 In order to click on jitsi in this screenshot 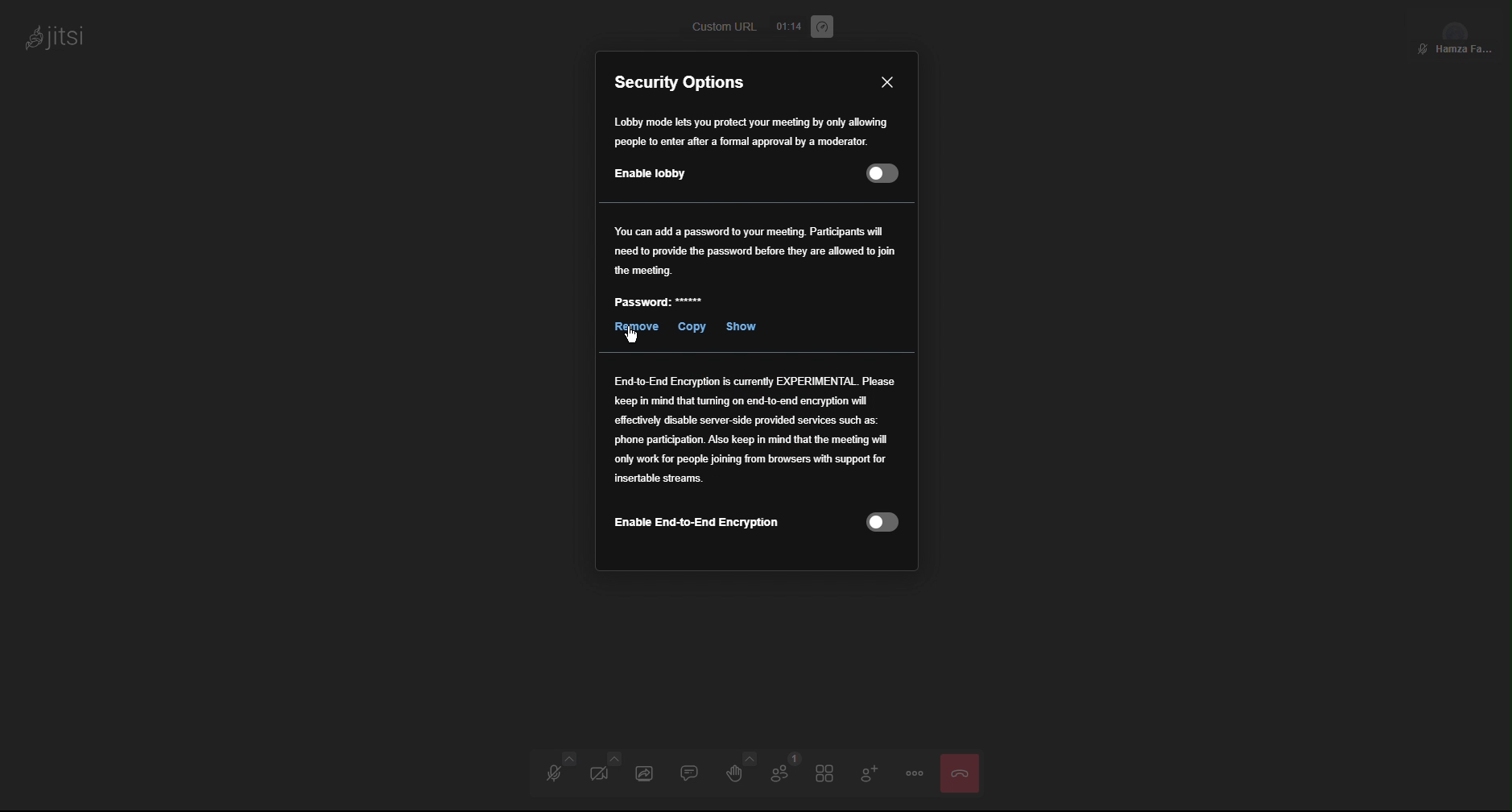, I will do `click(52, 34)`.